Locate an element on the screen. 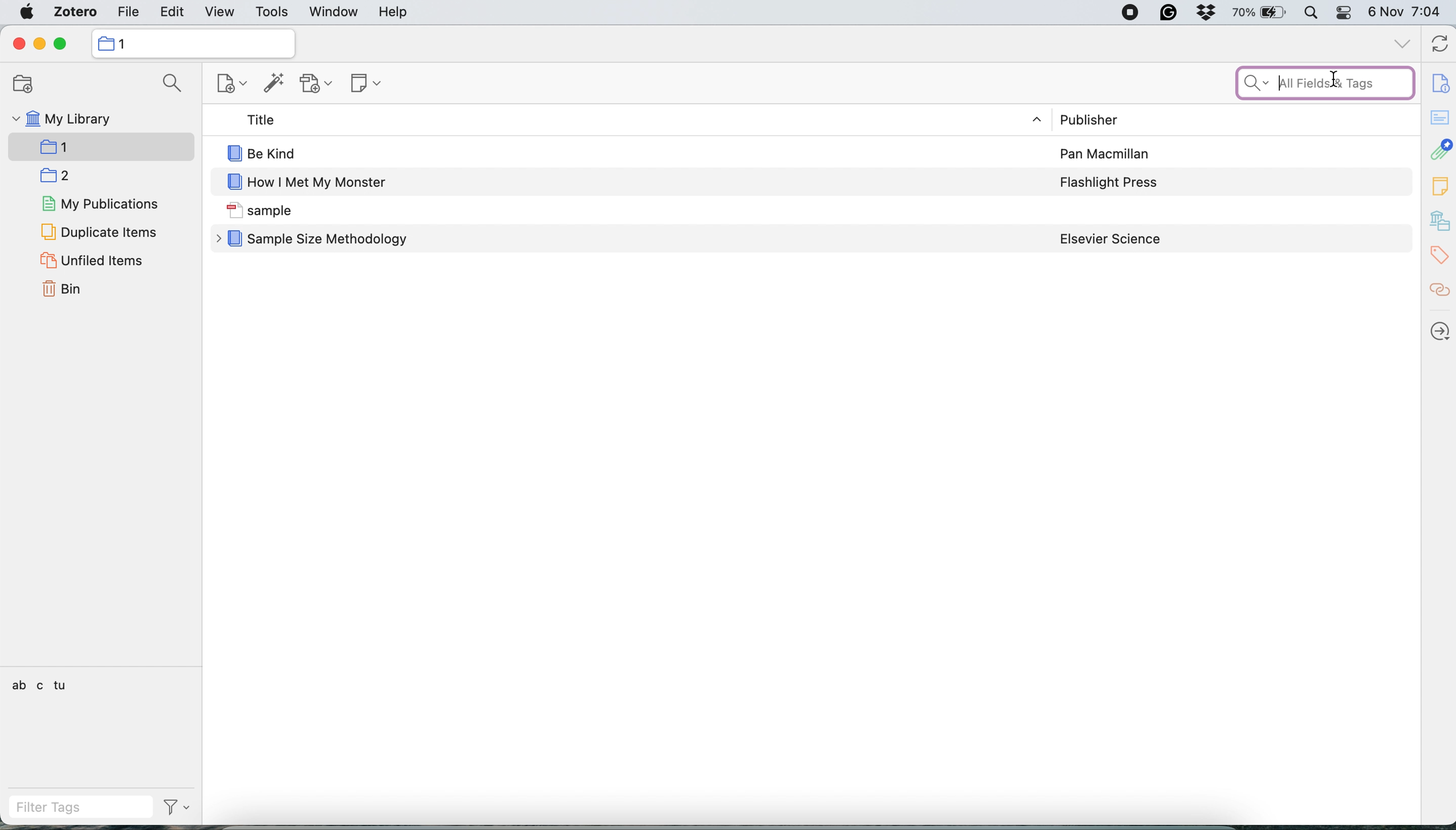 The width and height of the screenshot is (1456, 830). Be Kind is located at coordinates (277, 153).